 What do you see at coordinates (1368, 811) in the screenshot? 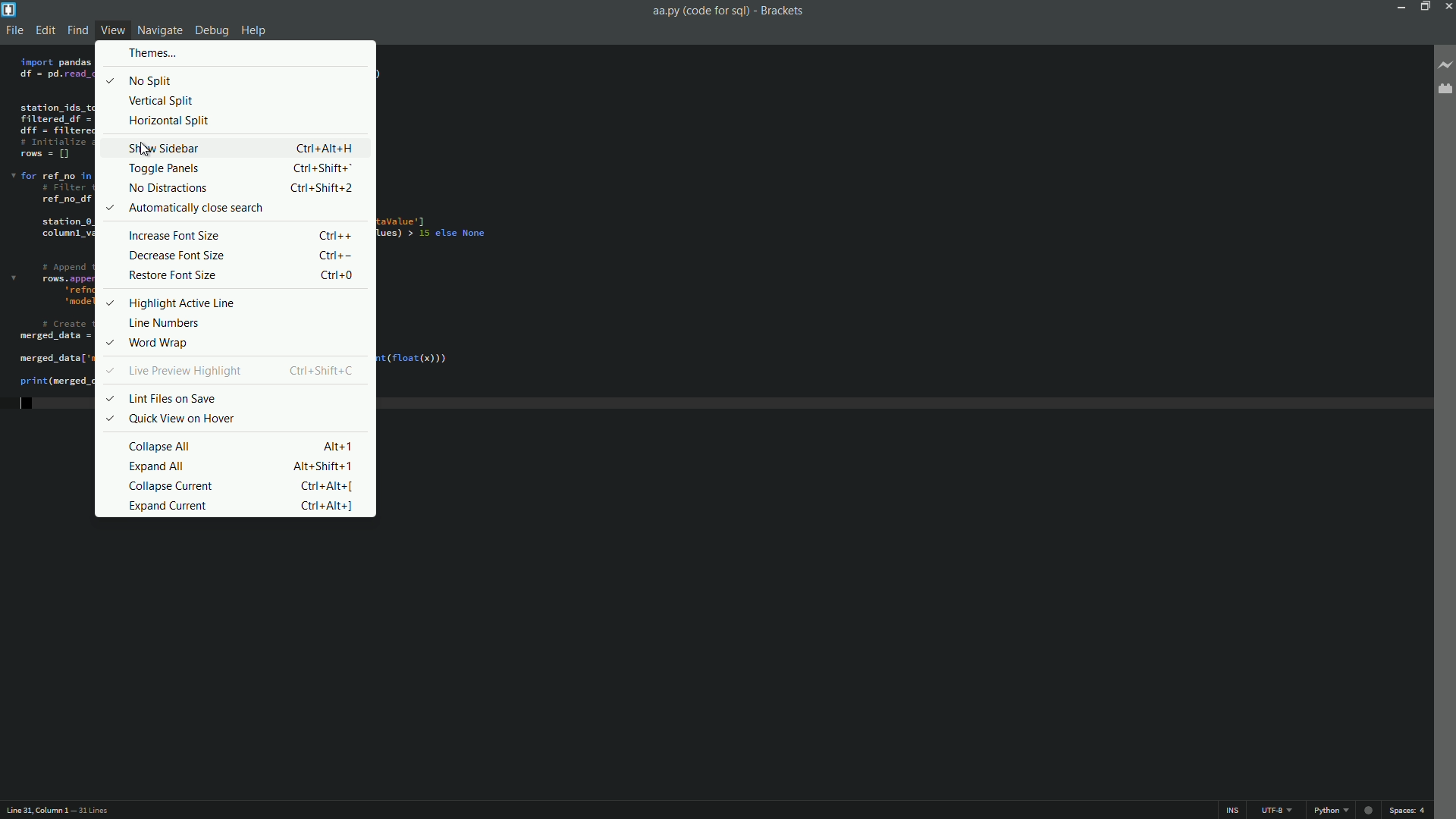
I see `circle ` at bounding box center [1368, 811].